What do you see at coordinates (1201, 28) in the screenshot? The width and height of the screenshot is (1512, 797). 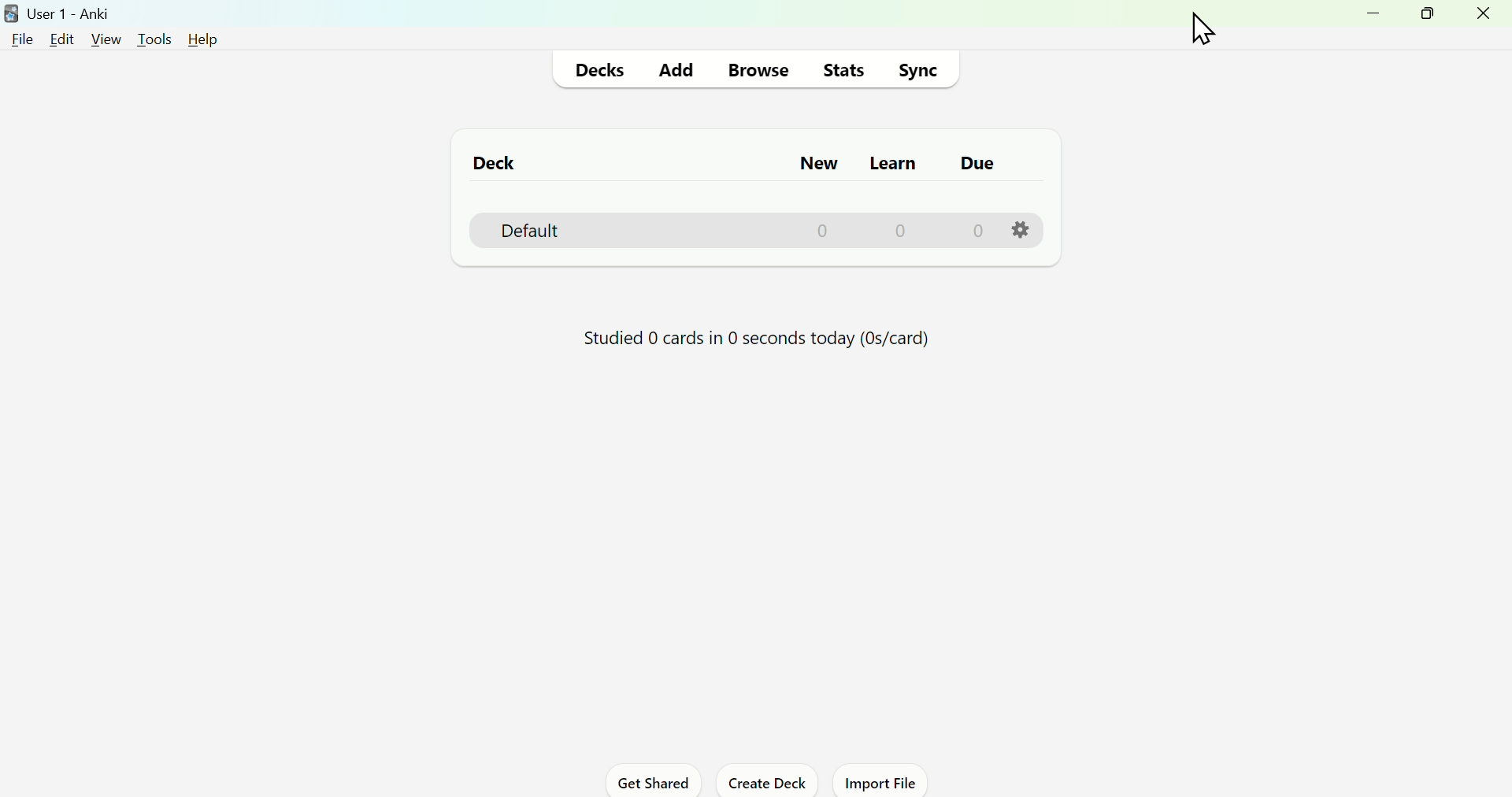 I see `cursor` at bounding box center [1201, 28].